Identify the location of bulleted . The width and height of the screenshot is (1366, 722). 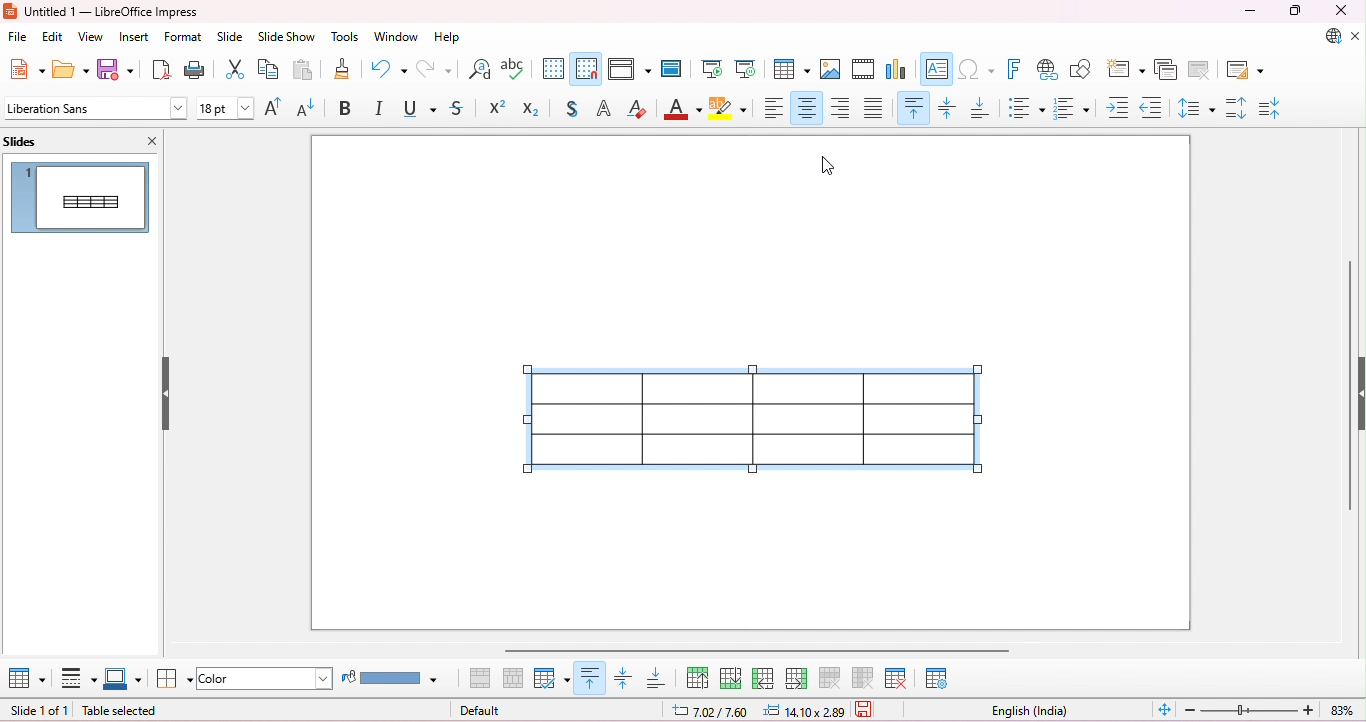
(1027, 107).